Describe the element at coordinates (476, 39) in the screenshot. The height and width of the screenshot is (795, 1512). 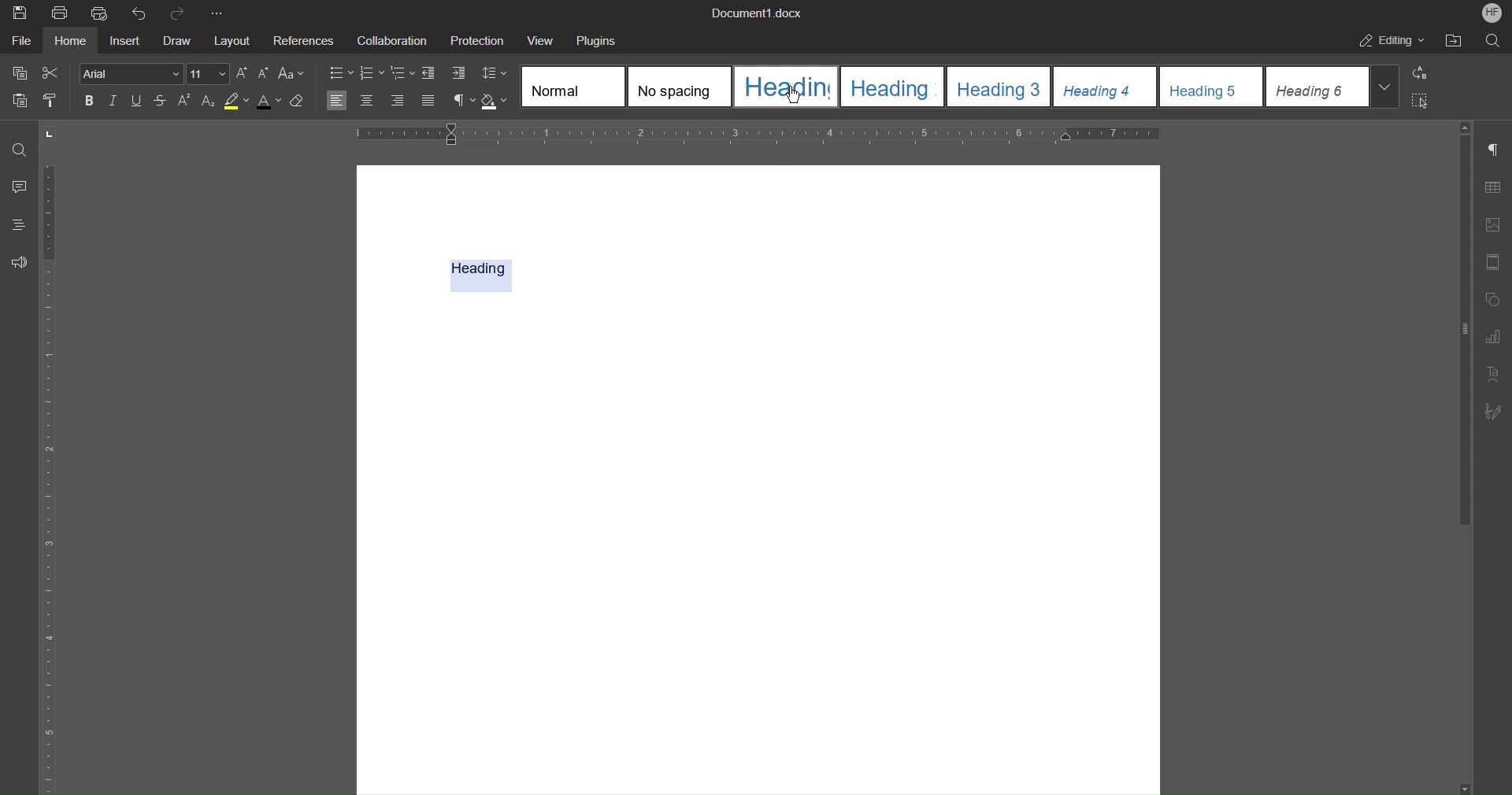
I see `Protection` at that location.